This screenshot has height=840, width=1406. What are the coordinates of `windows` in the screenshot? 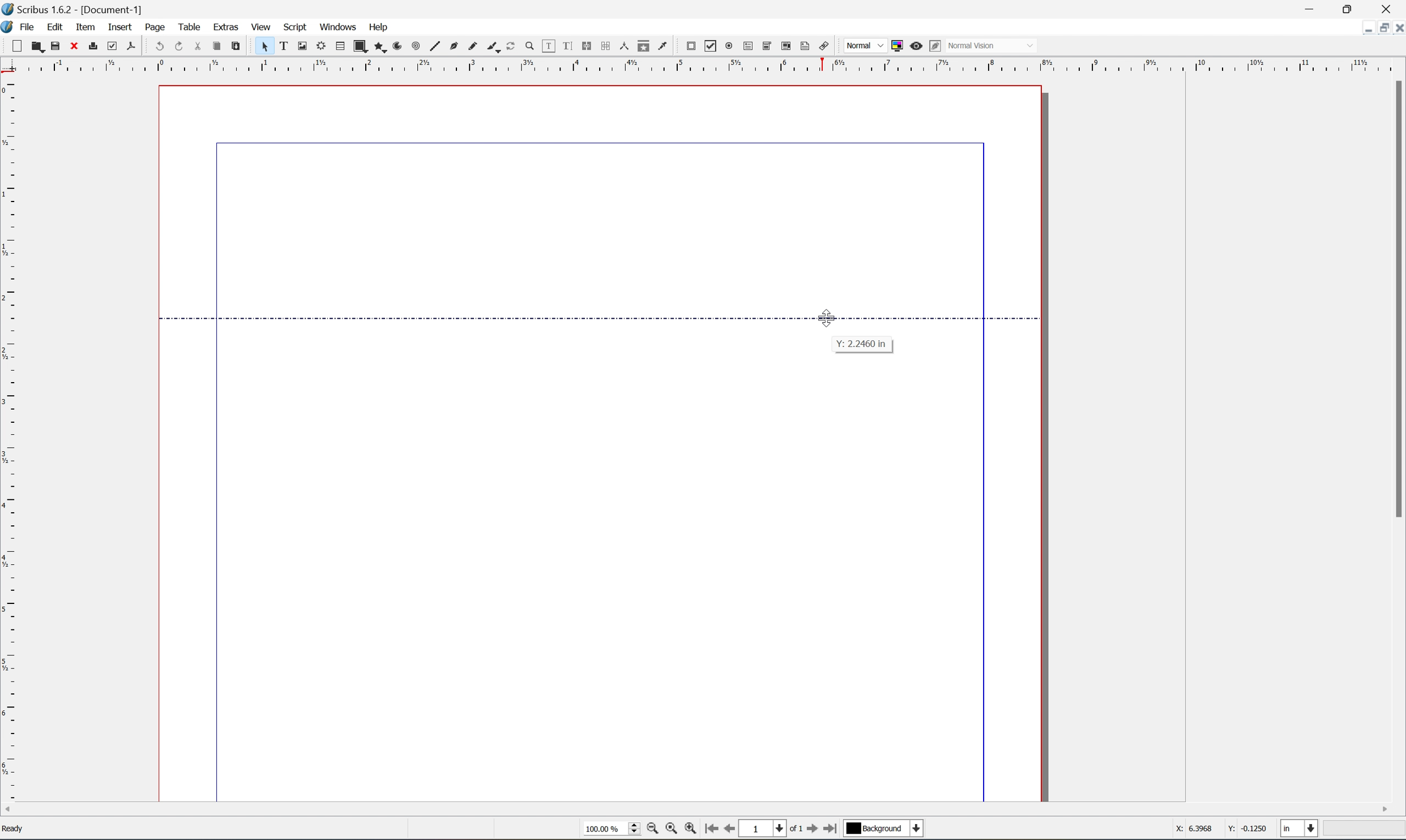 It's located at (338, 25).